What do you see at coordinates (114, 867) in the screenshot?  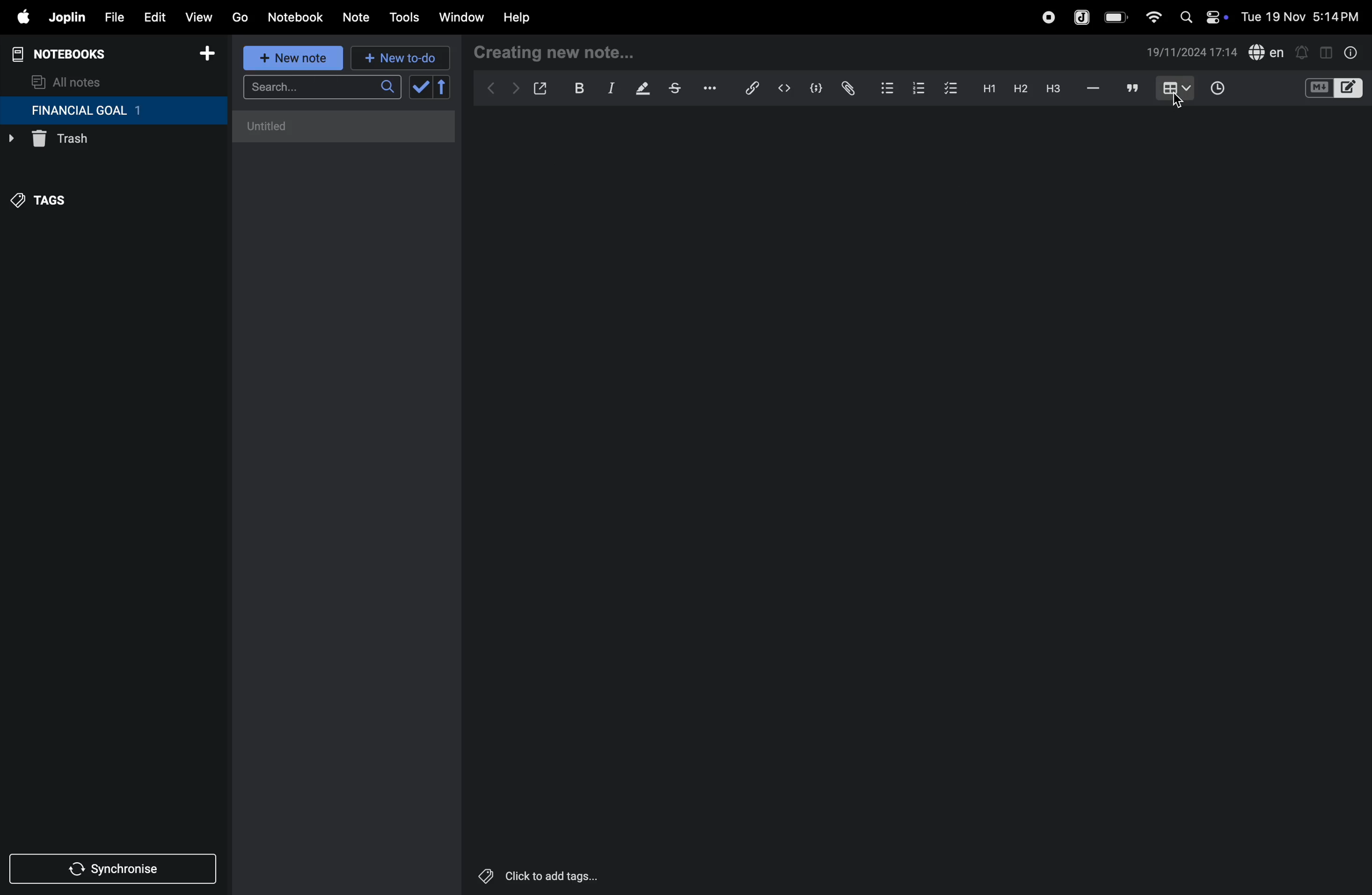 I see `synchronize` at bounding box center [114, 867].